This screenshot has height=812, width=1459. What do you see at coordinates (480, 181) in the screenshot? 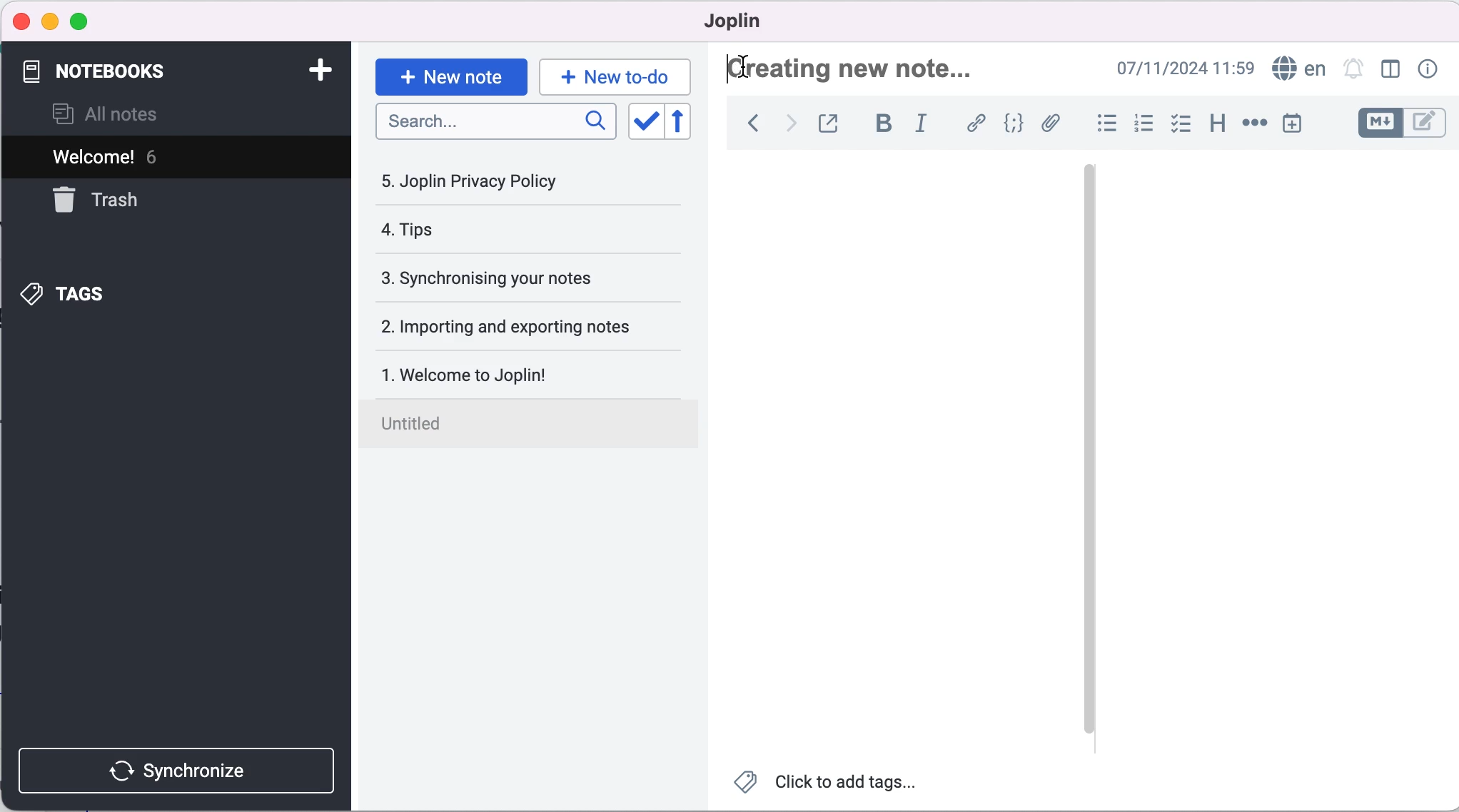
I see `joplin privacy policy` at bounding box center [480, 181].